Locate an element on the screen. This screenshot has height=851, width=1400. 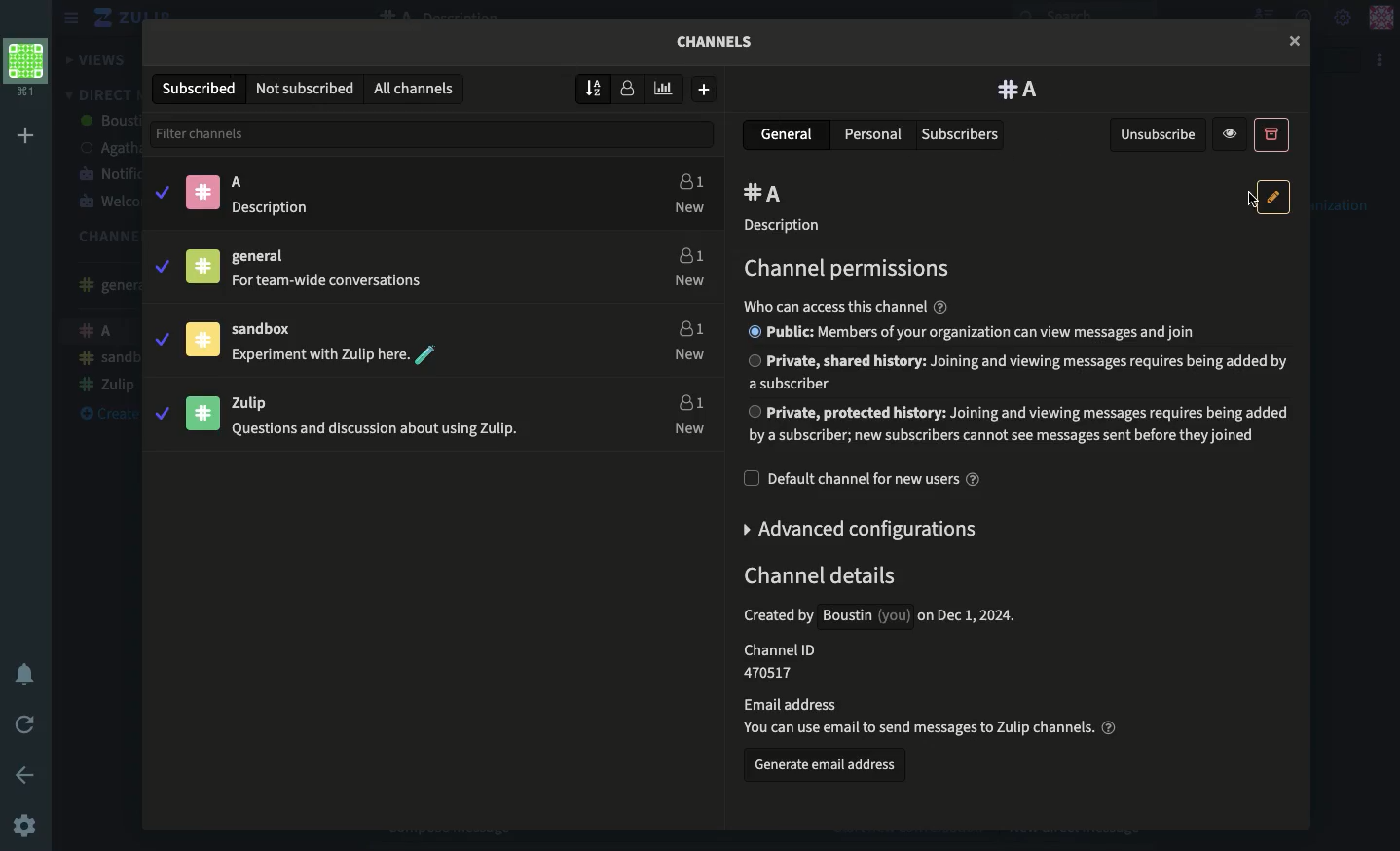
Not subscribed is located at coordinates (306, 89).